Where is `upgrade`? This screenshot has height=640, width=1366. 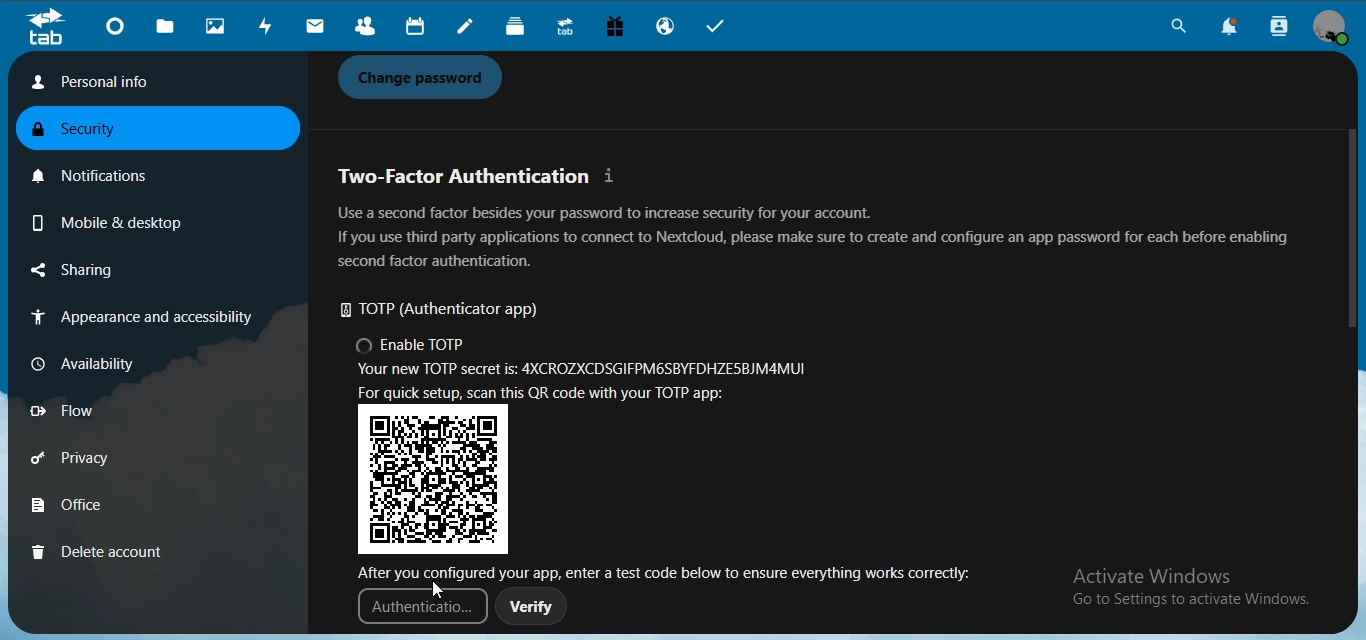
upgrade is located at coordinates (568, 29).